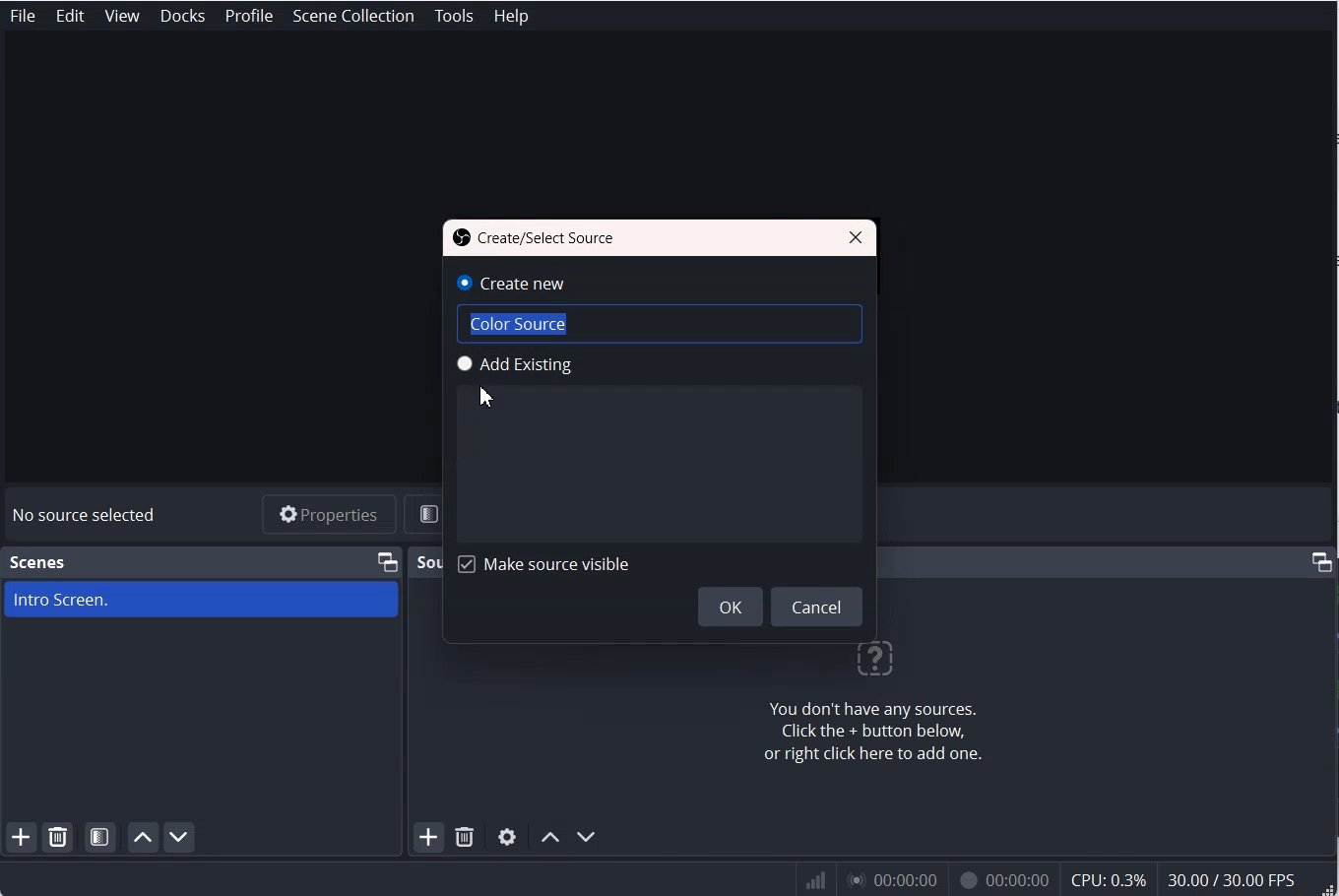 The height and width of the screenshot is (896, 1339). What do you see at coordinates (181, 838) in the screenshot?
I see `Move Scene Down` at bounding box center [181, 838].